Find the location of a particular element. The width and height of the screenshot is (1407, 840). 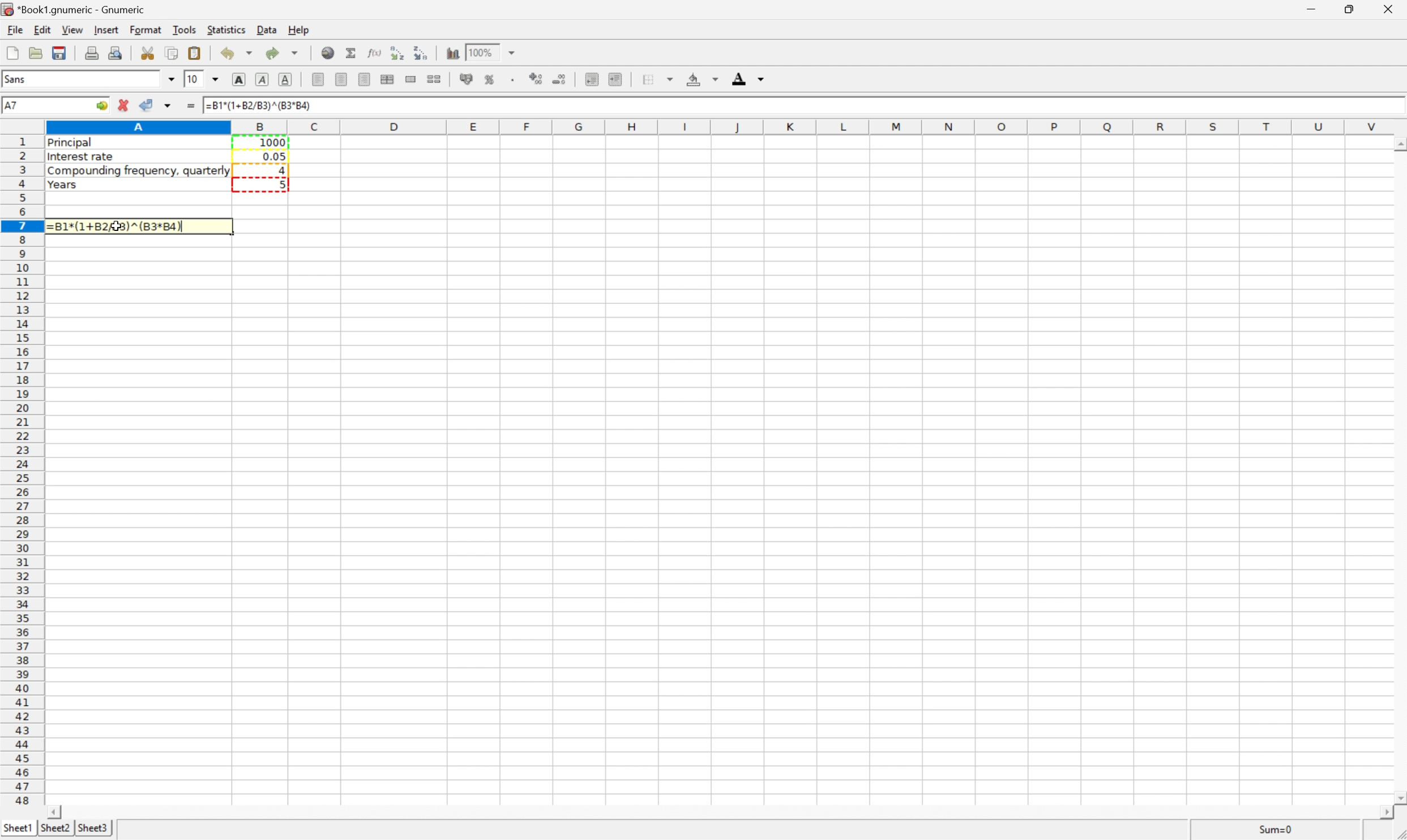

data is located at coordinates (266, 31).